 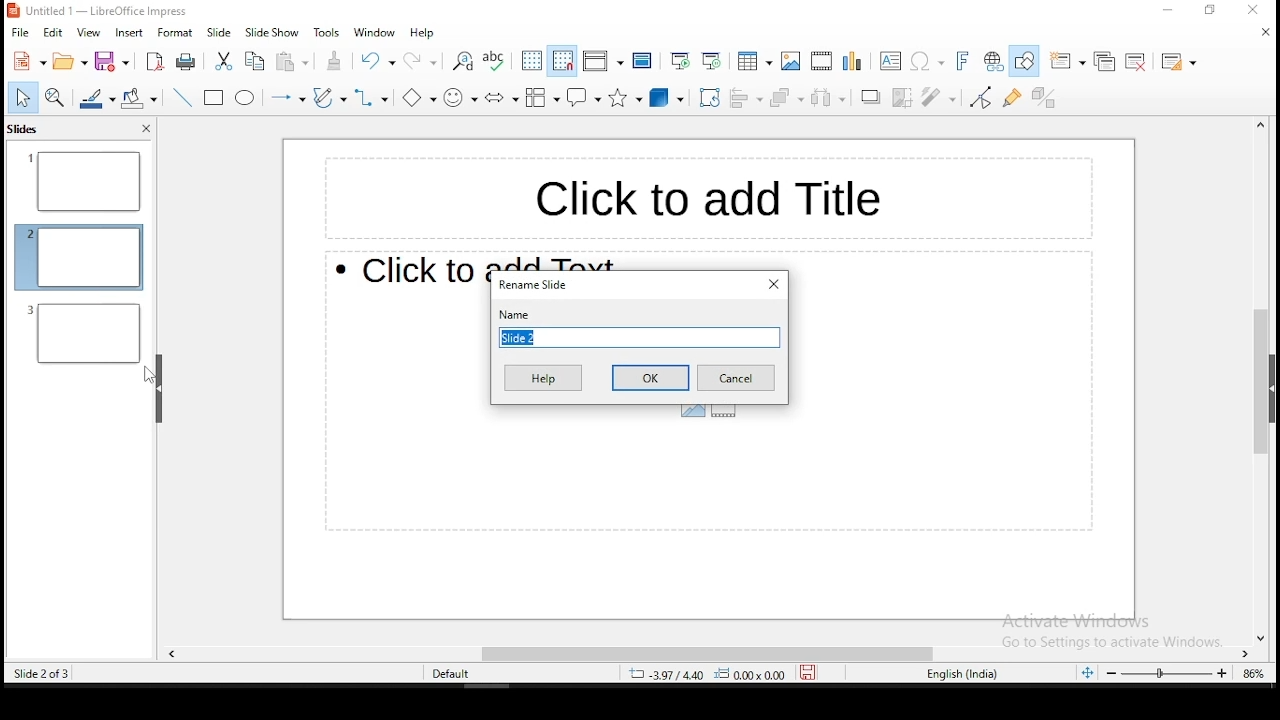 What do you see at coordinates (1255, 381) in the screenshot?
I see `scroll bar` at bounding box center [1255, 381].